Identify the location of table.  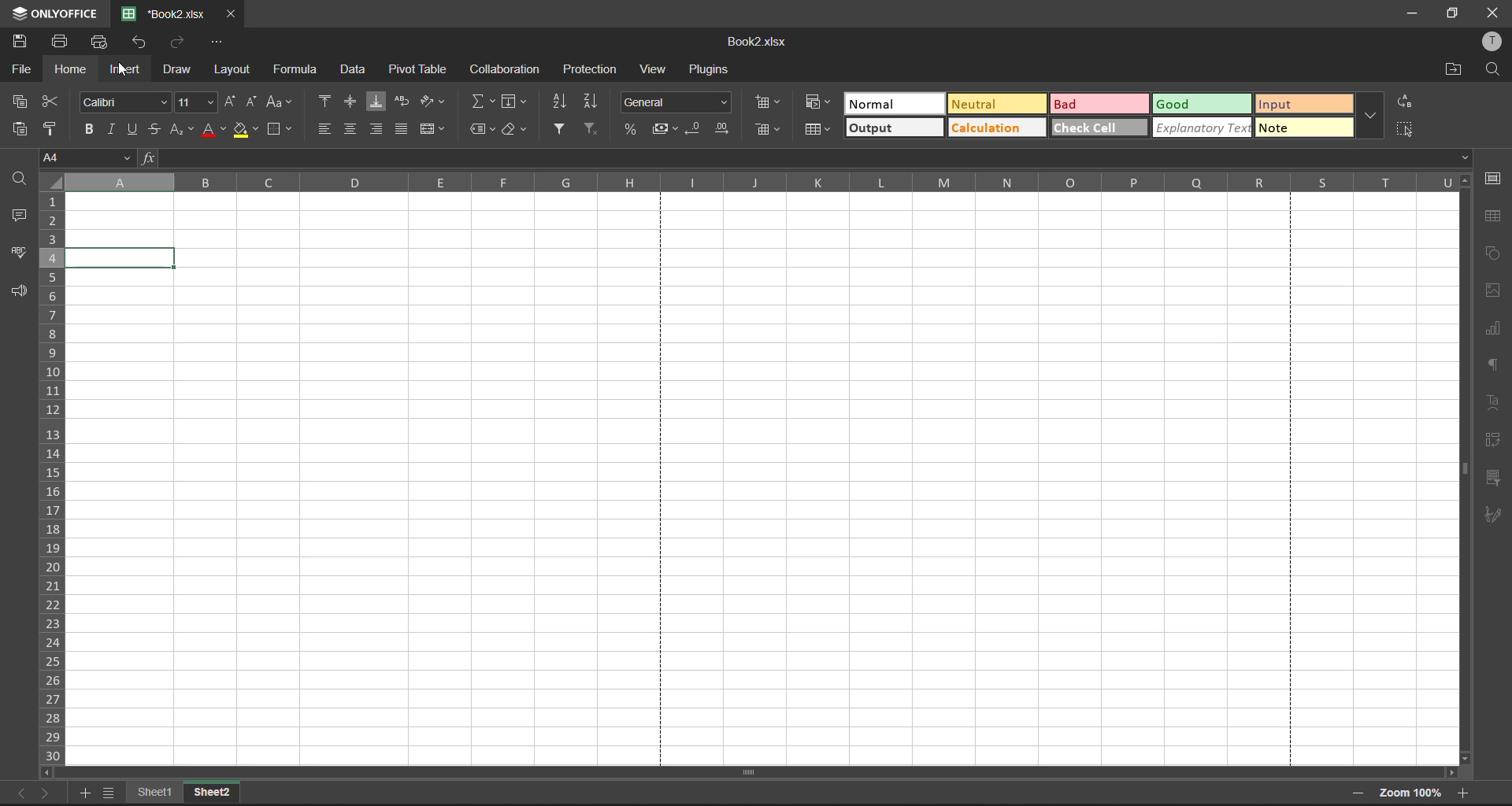
(1493, 217).